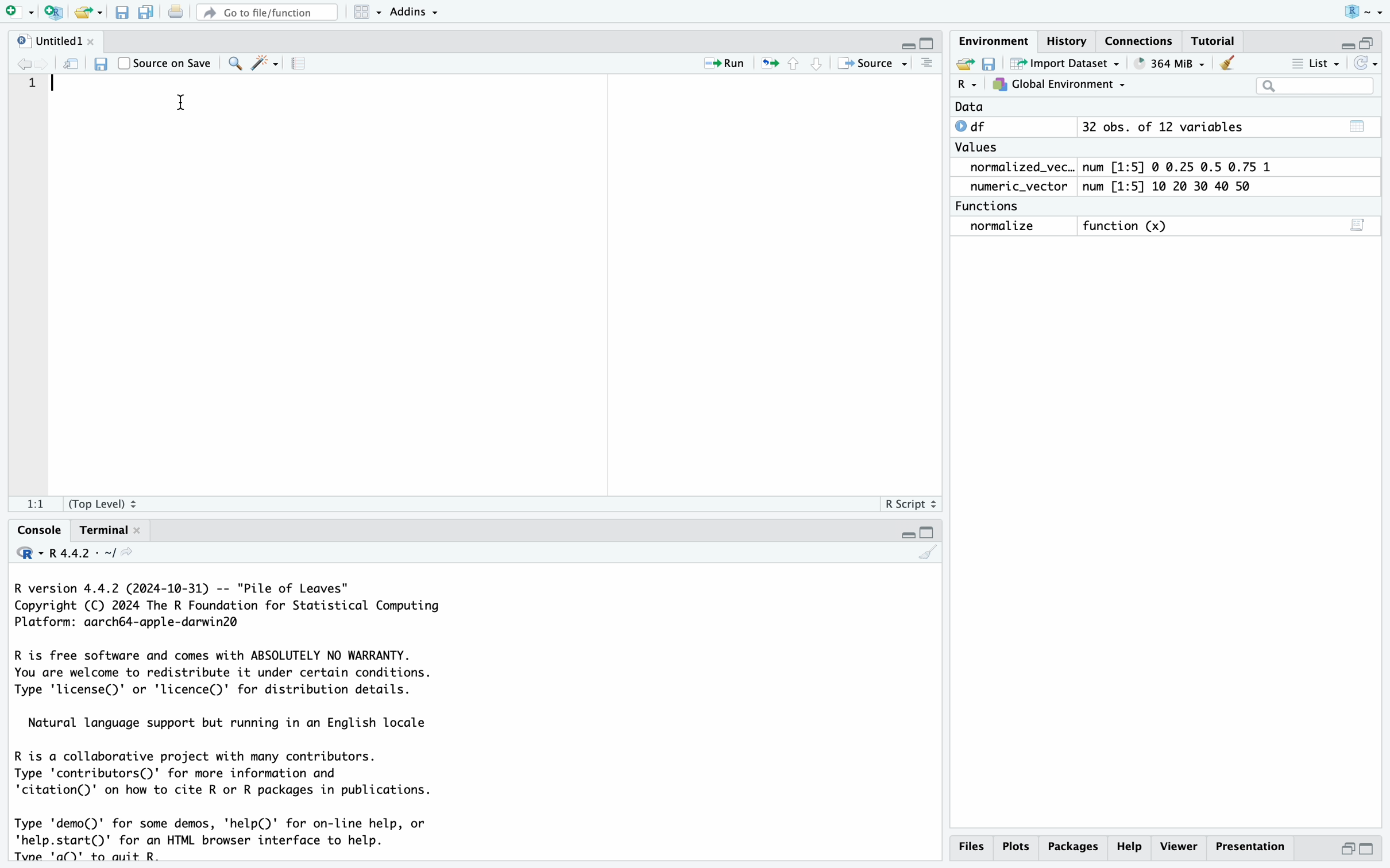 The width and height of the screenshot is (1390, 868). Describe the element at coordinates (1068, 63) in the screenshot. I see `Import Dataset` at that location.